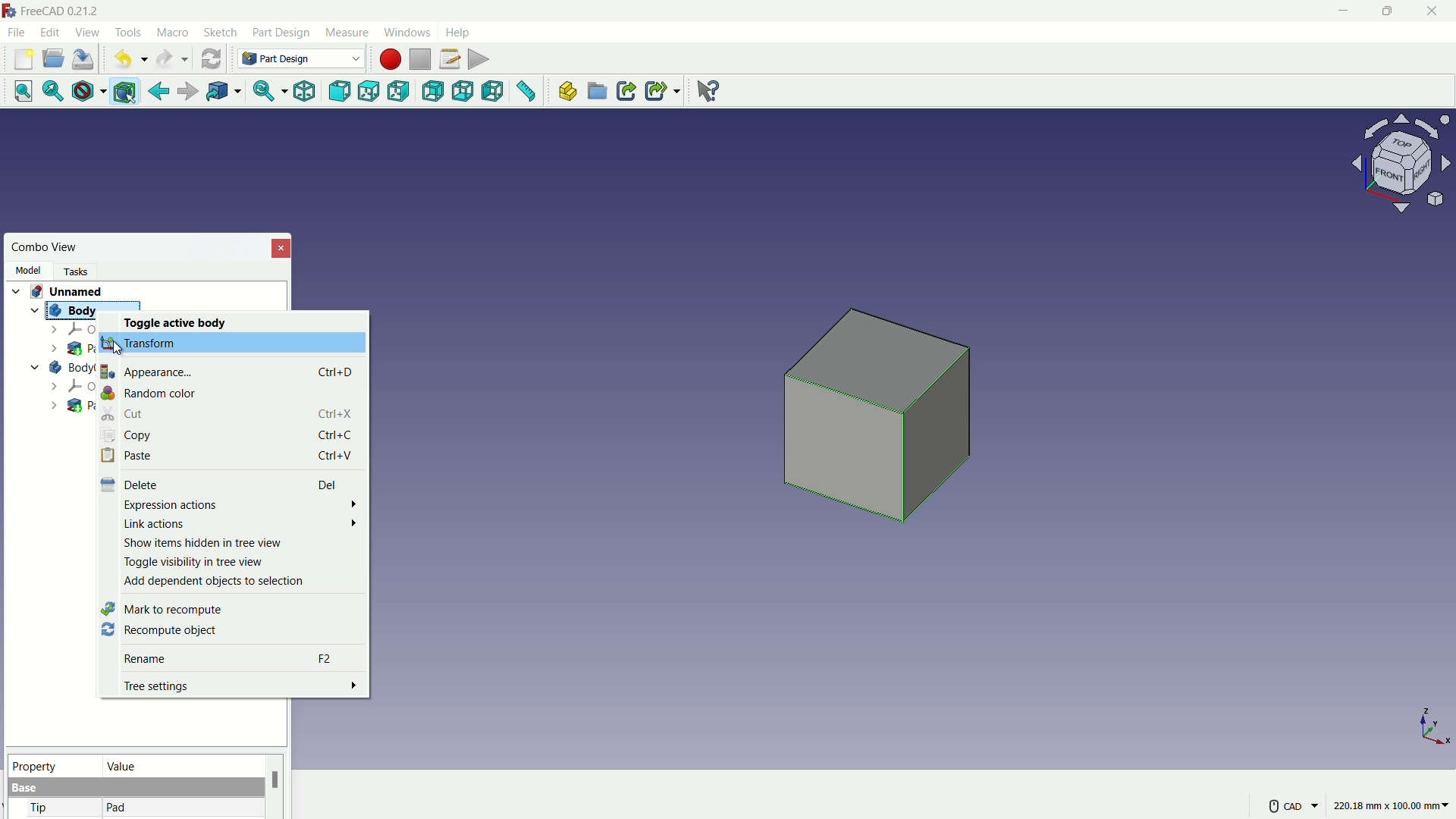  I want to click on Appearance... Ctrl+D, so click(226, 372).